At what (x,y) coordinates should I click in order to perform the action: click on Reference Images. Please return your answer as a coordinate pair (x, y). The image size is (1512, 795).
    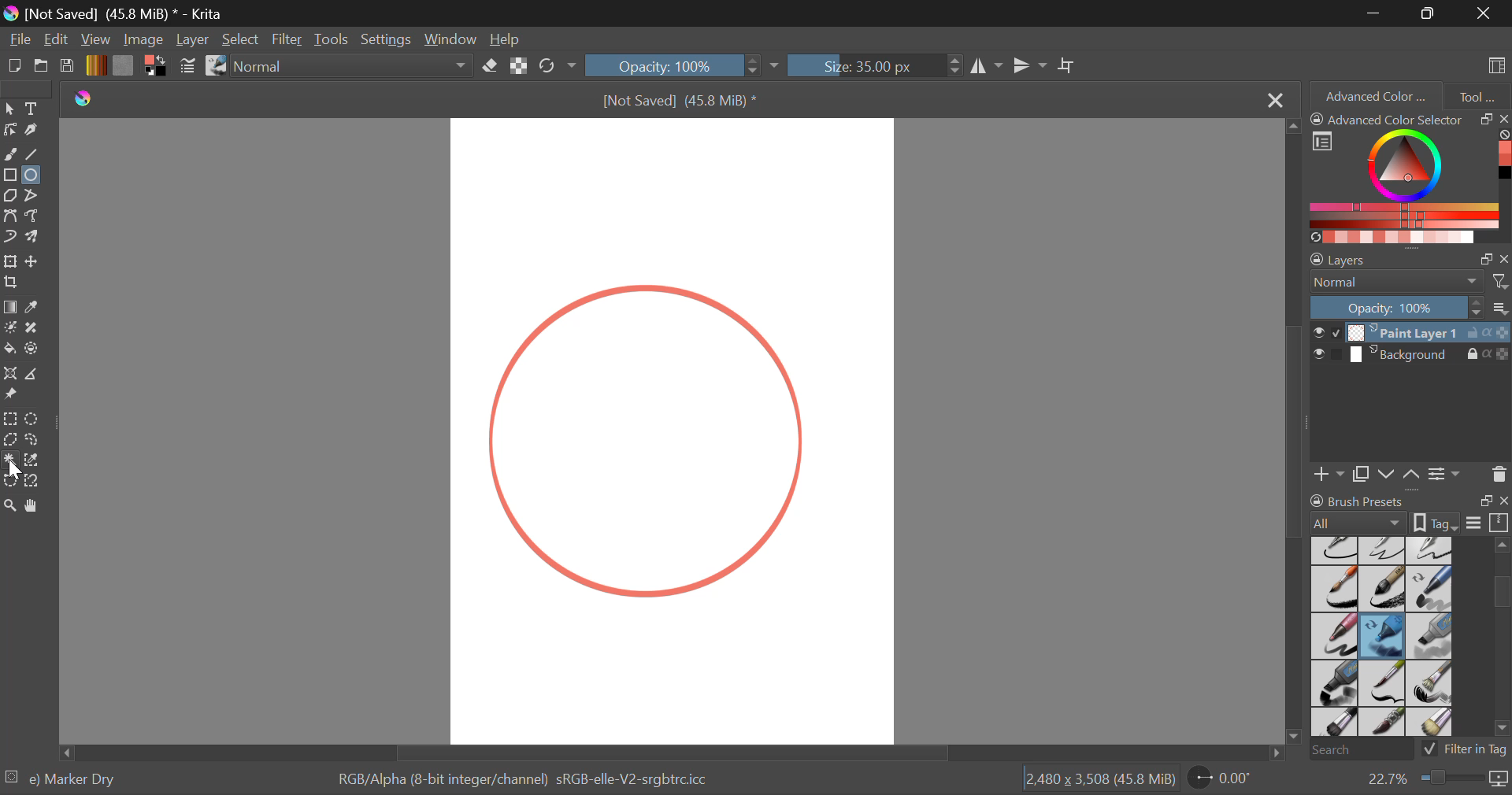
    Looking at the image, I should click on (13, 395).